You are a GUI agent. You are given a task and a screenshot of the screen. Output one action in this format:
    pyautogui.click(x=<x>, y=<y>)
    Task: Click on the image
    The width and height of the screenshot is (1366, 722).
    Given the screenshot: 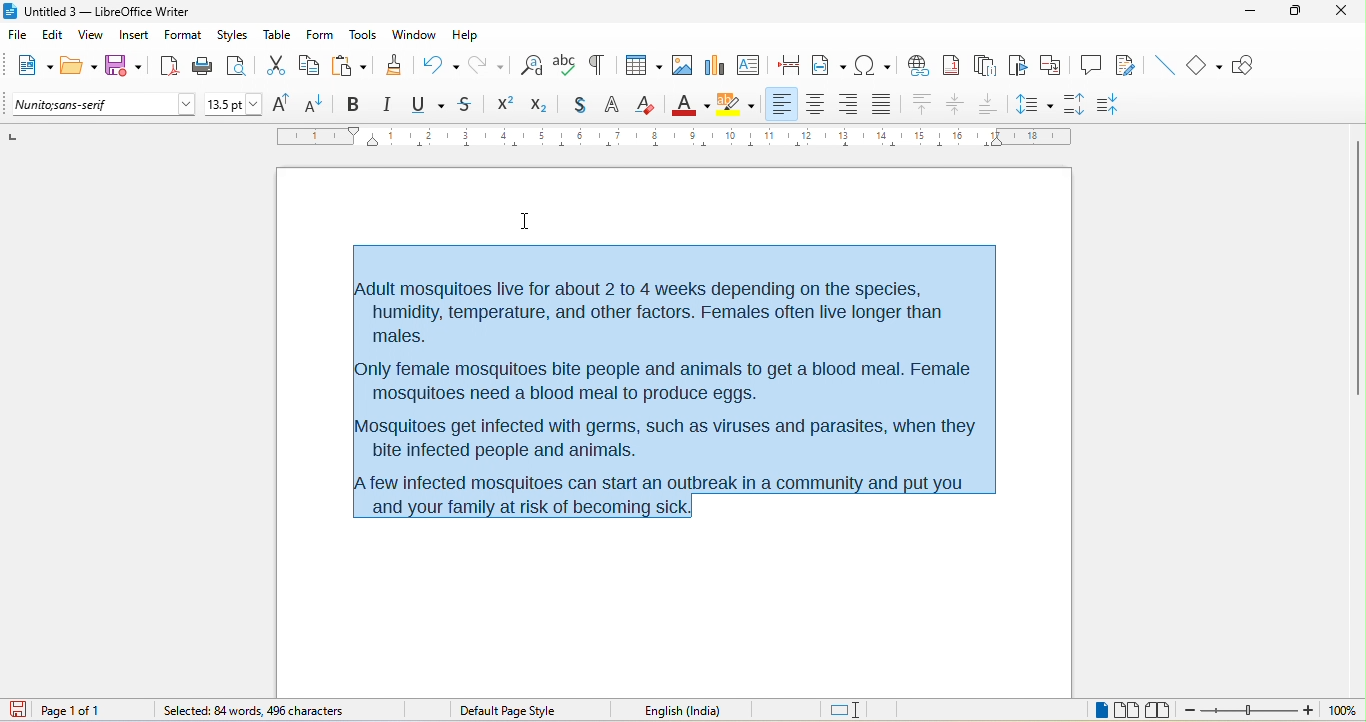 What is the action you would take?
    pyautogui.click(x=681, y=65)
    